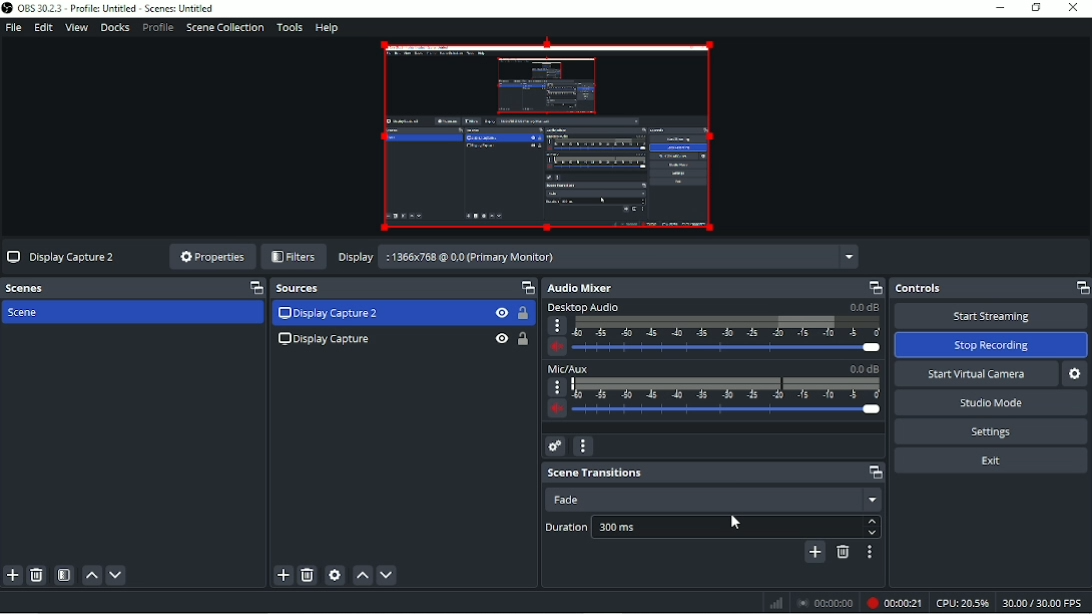  Describe the element at coordinates (387, 575) in the screenshot. I see `Move source(s) down` at that location.